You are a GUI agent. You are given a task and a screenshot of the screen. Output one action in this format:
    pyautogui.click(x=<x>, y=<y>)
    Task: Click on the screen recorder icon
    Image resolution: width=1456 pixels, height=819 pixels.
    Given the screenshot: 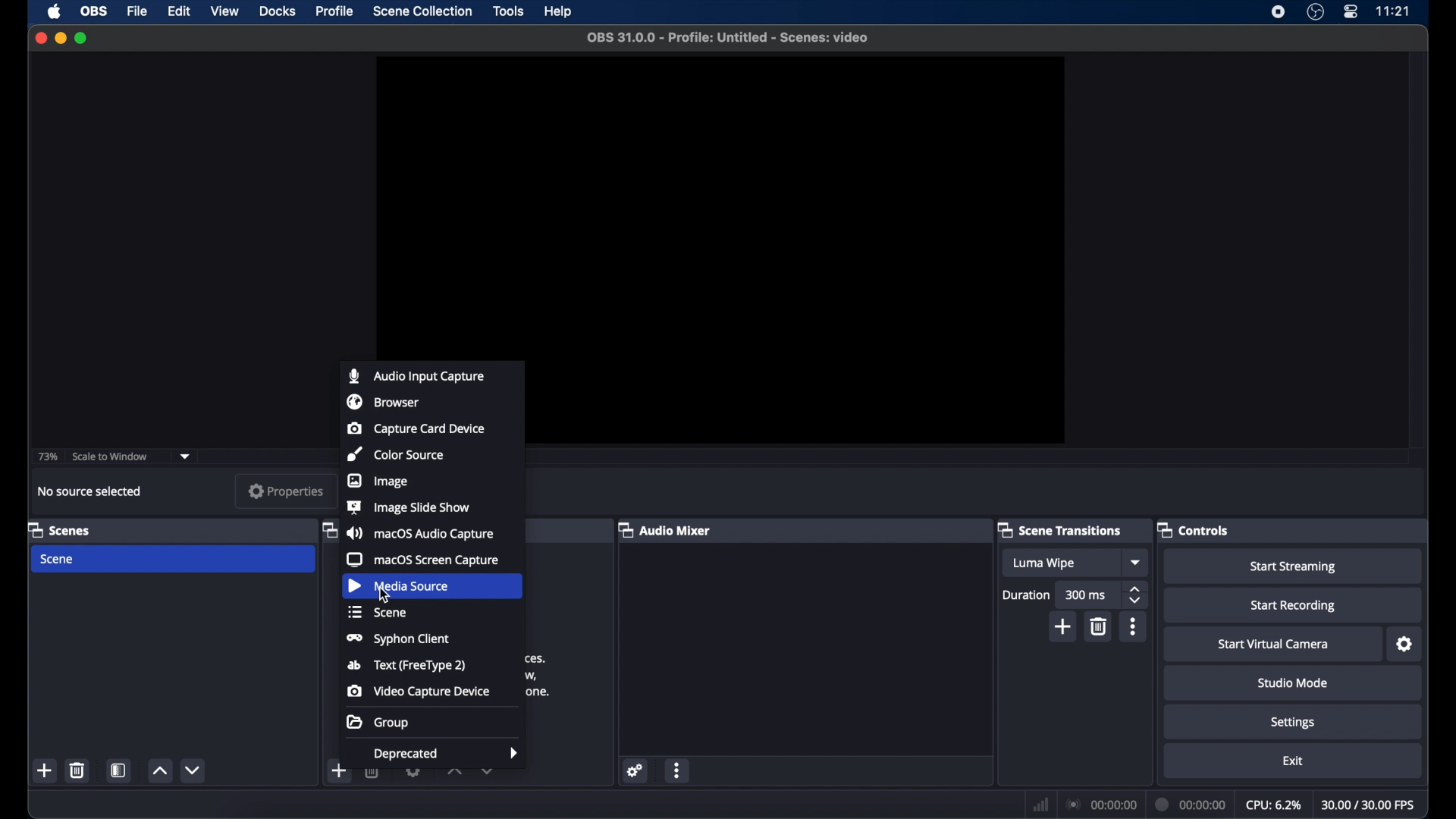 What is the action you would take?
    pyautogui.click(x=1278, y=11)
    